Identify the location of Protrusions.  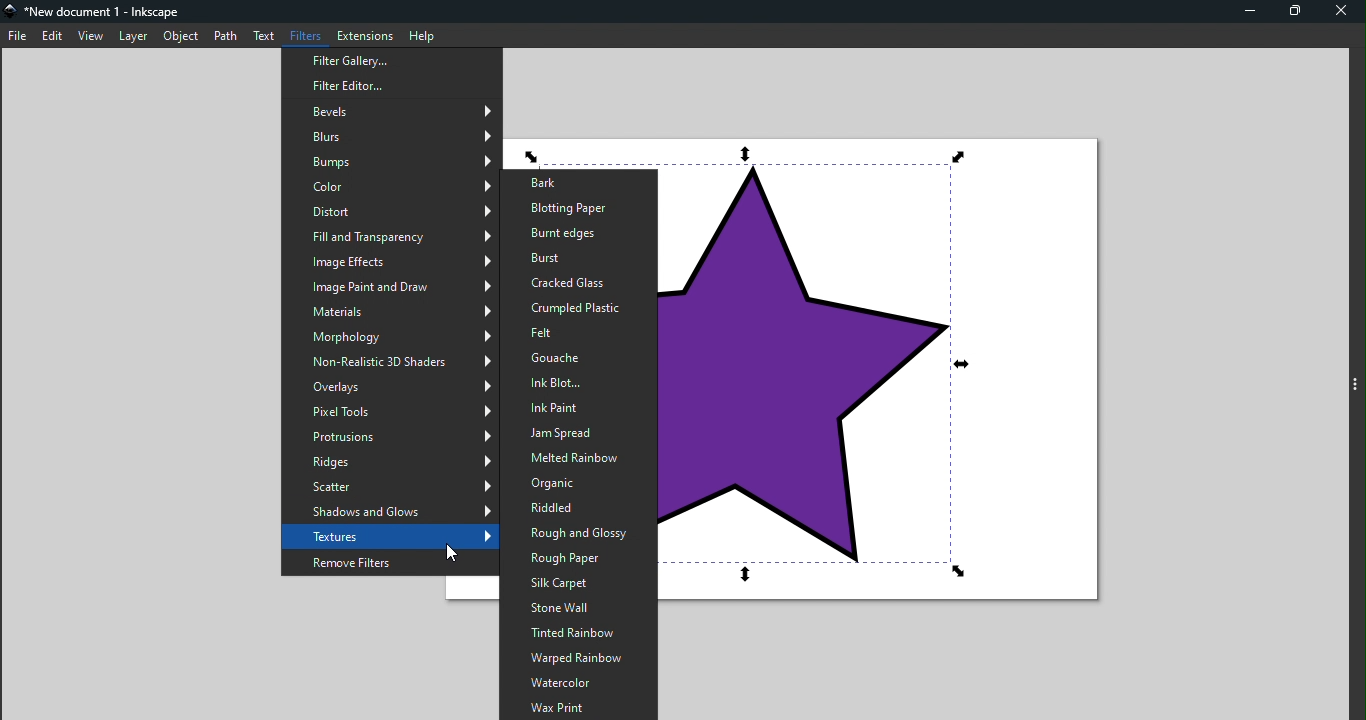
(391, 438).